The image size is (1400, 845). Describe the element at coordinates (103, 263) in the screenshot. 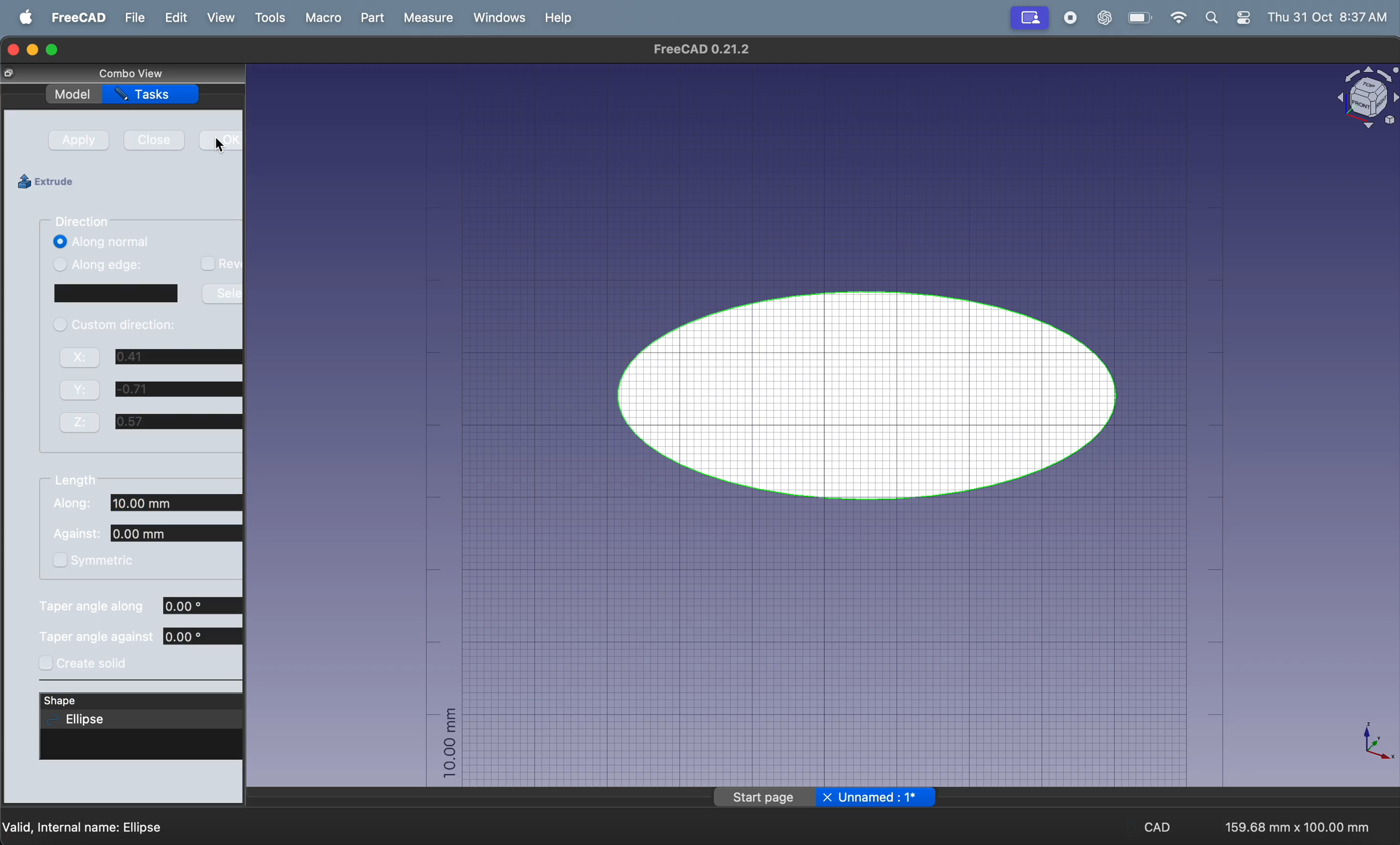

I see `along edge` at that location.